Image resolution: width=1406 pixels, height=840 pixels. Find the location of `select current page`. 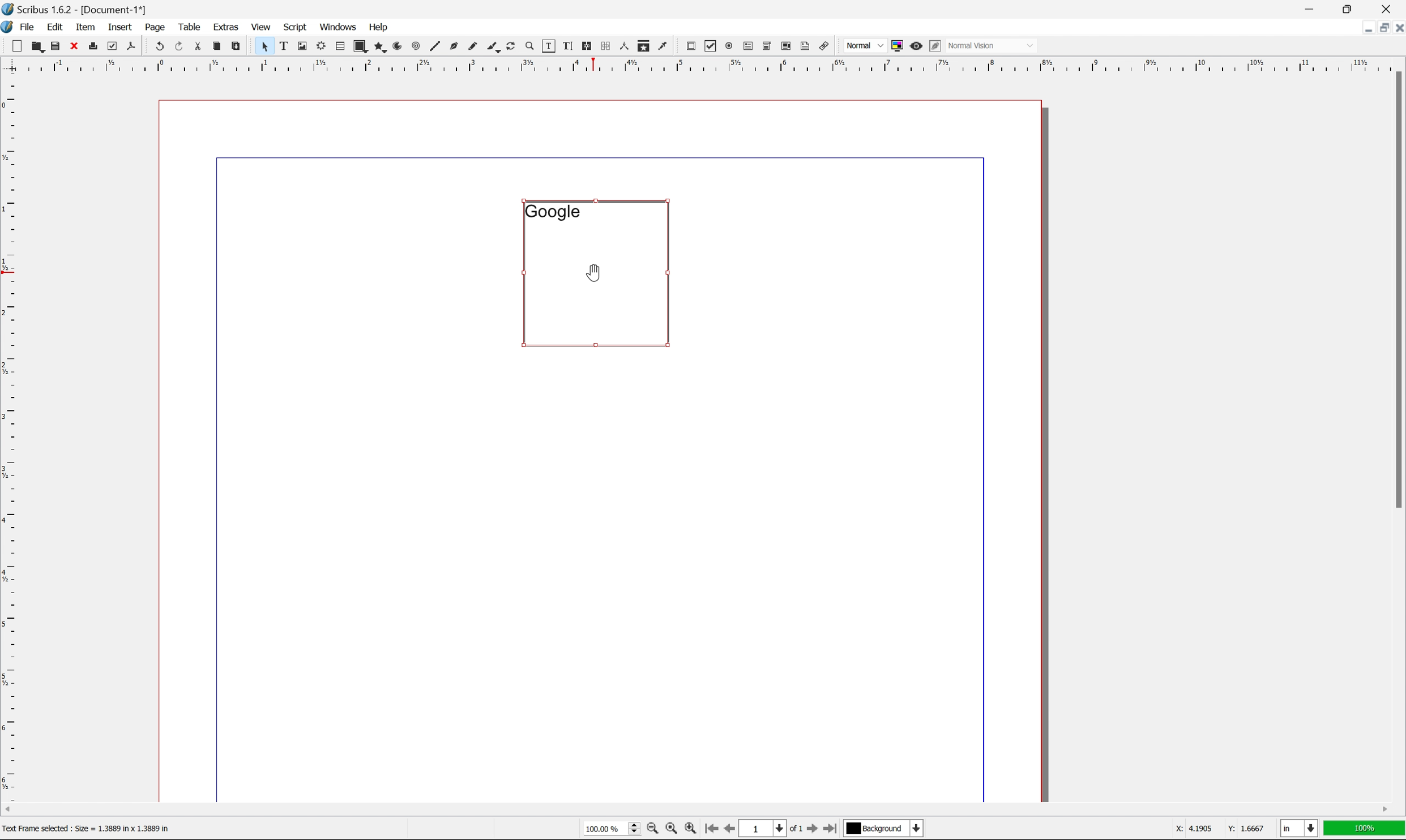

select current page is located at coordinates (770, 830).